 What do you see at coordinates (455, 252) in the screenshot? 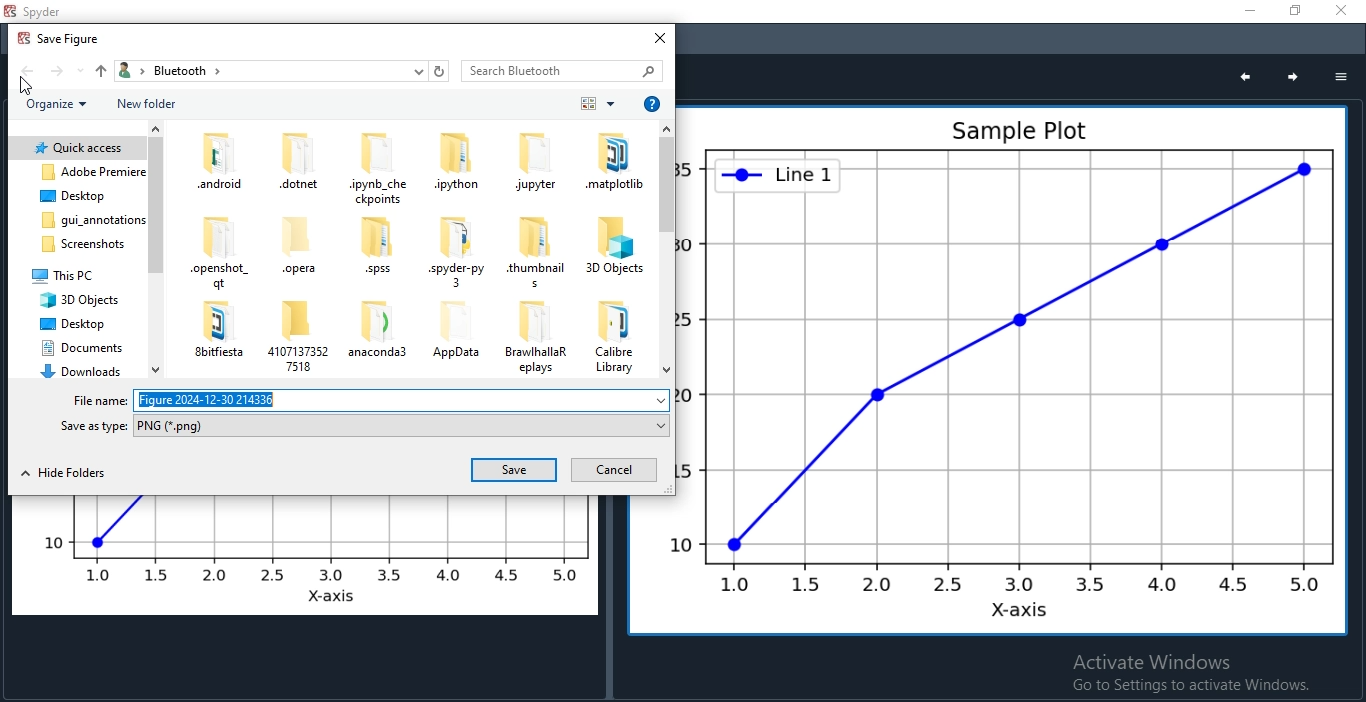
I see `files` at bounding box center [455, 252].